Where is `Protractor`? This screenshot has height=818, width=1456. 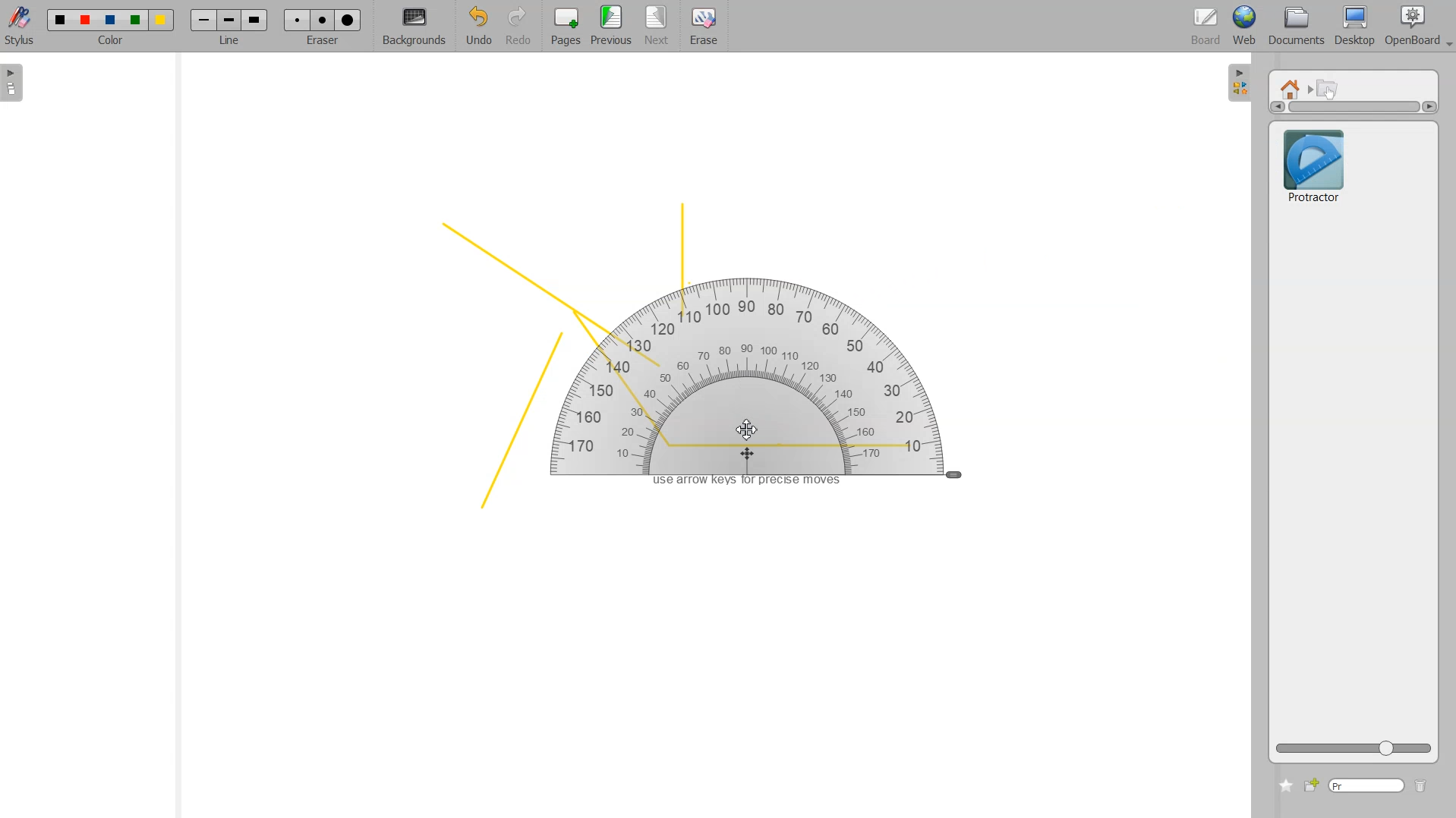 Protractor is located at coordinates (1313, 164).